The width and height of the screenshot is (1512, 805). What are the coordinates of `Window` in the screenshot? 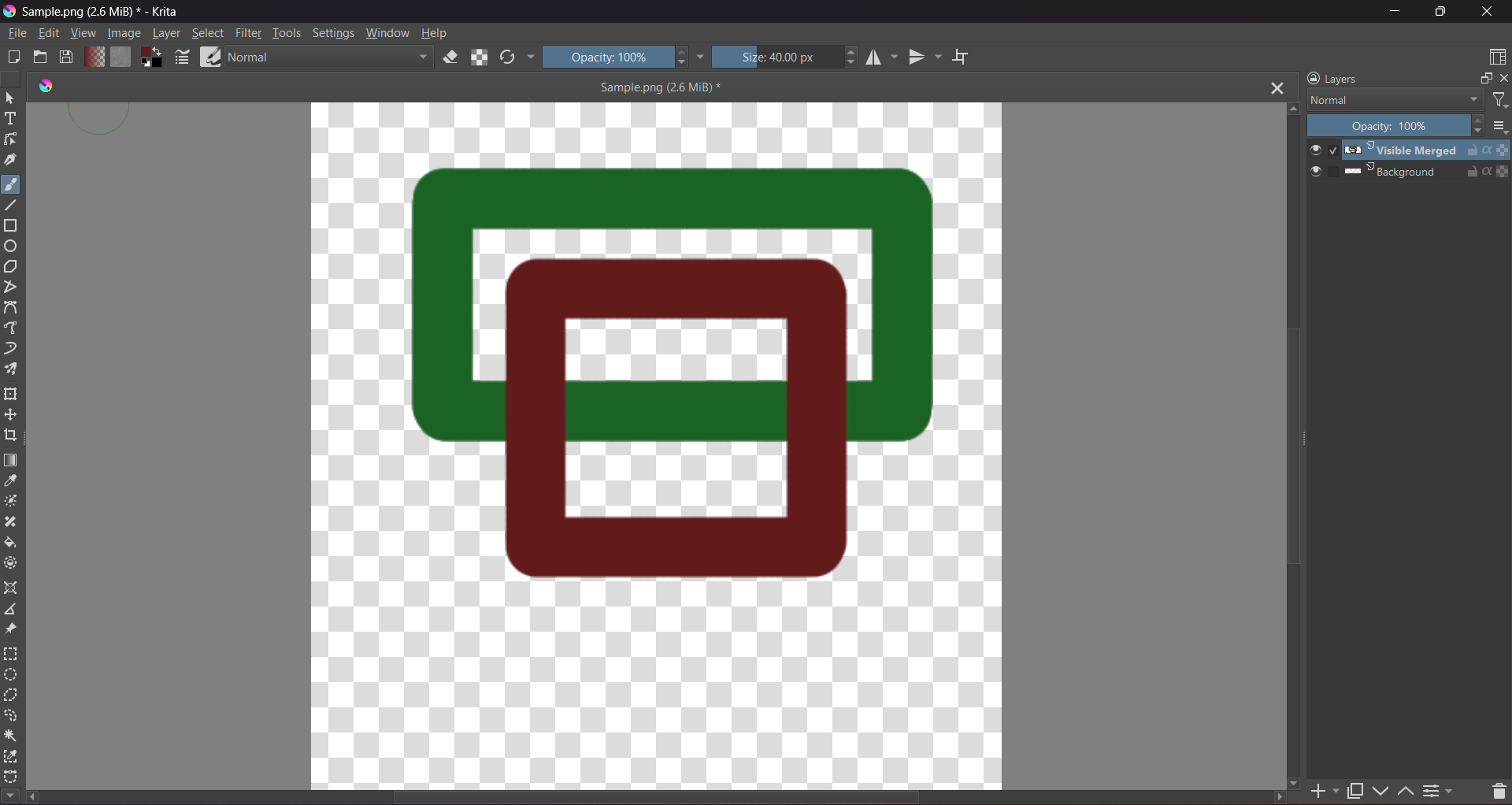 It's located at (387, 32).